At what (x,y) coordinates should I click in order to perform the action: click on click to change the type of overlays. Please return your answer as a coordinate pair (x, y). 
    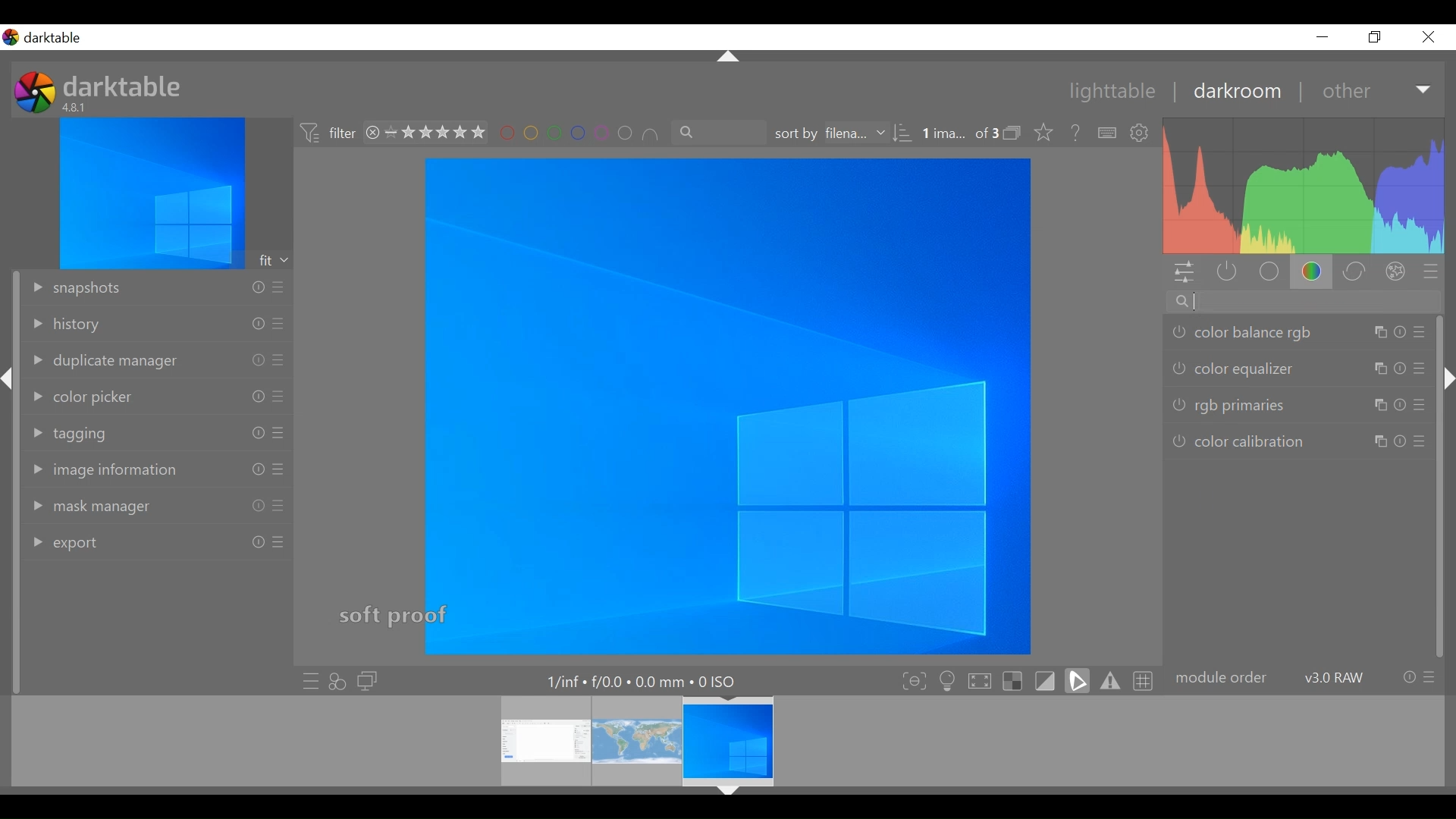
    Looking at the image, I should click on (1040, 131).